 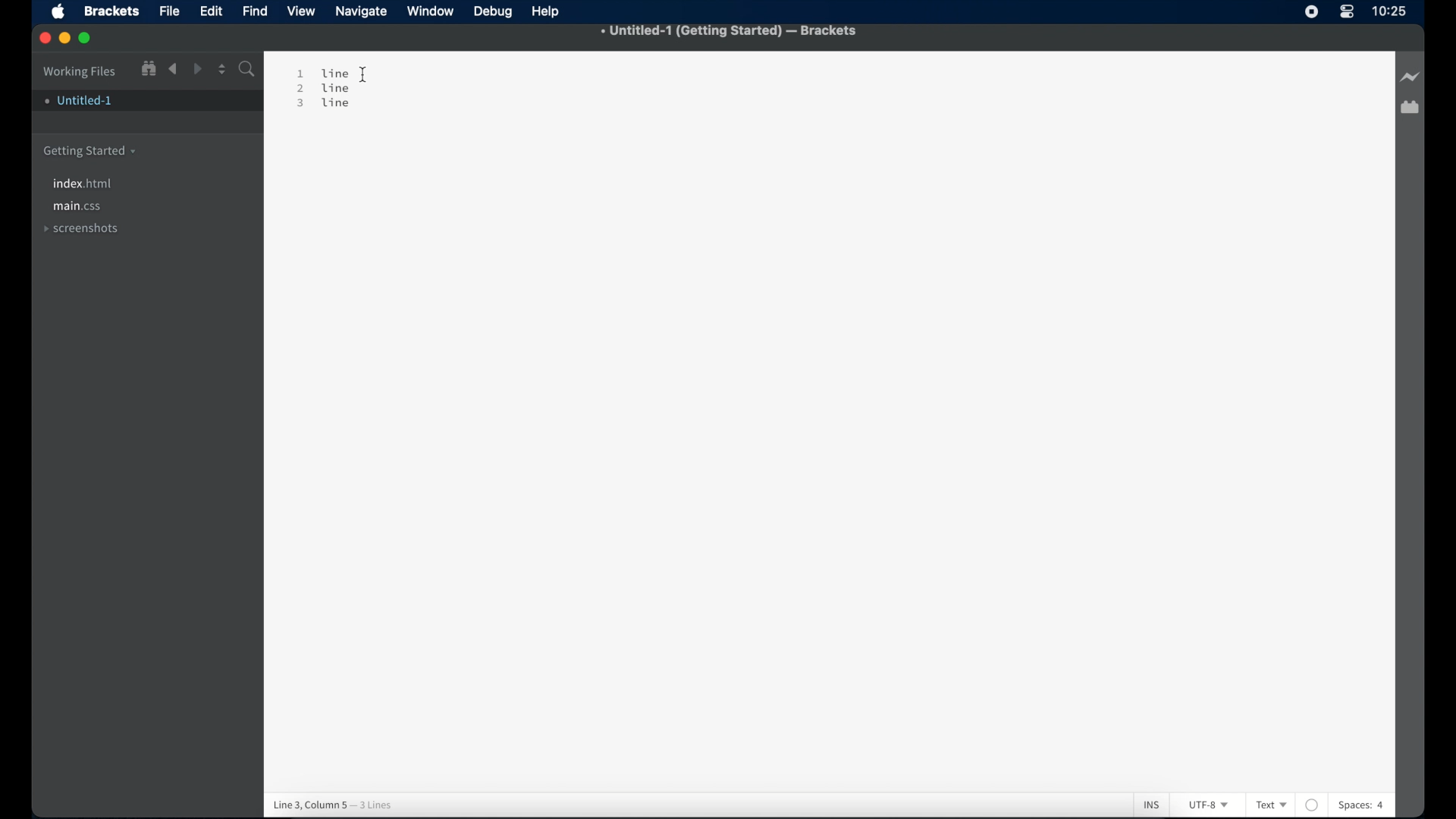 What do you see at coordinates (362, 12) in the screenshot?
I see `navigate` at bounding box center [362, 12].